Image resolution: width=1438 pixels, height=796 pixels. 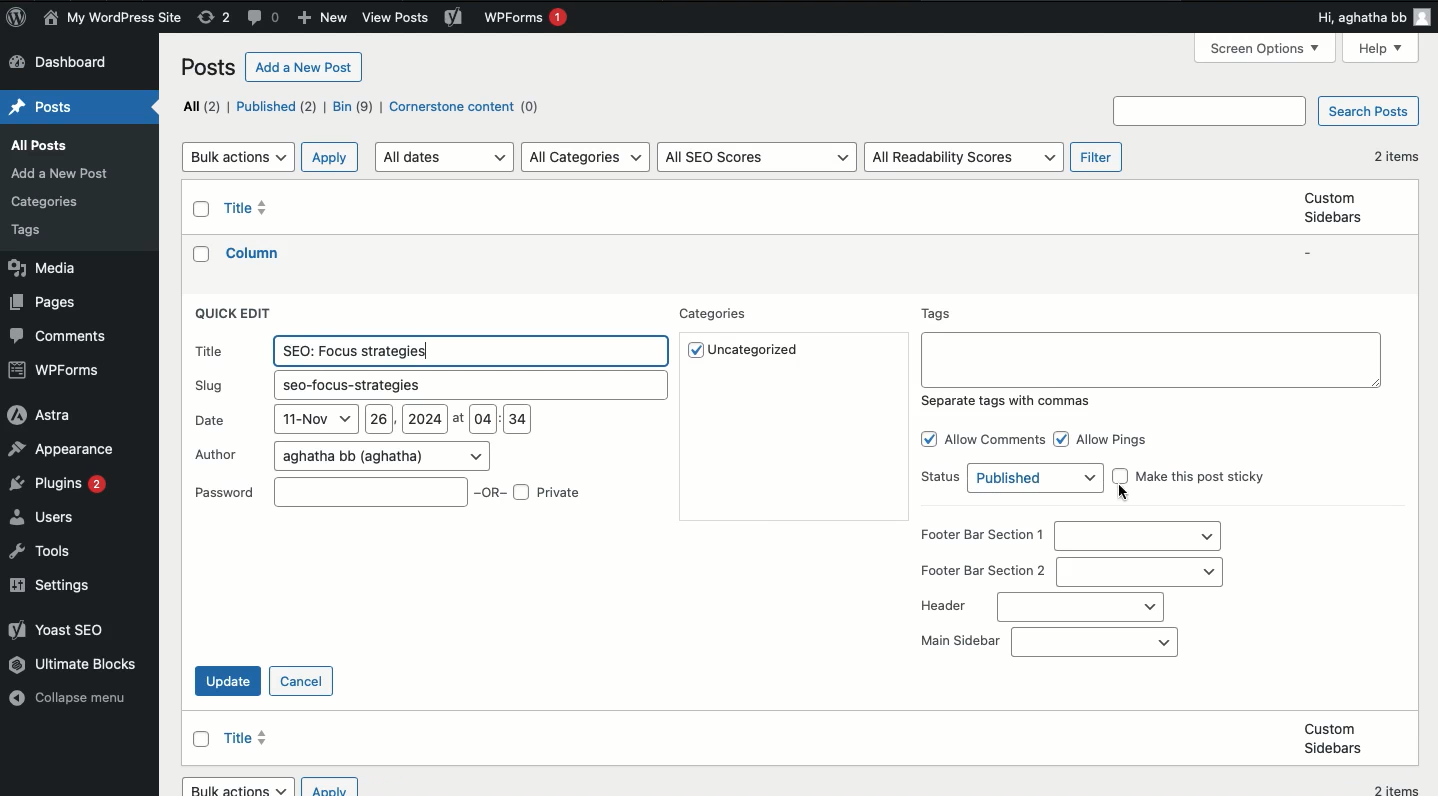 What do you see at coordinates (40, 144) in the screenshot?
I see `Posts` at bounding box center [40, 144].